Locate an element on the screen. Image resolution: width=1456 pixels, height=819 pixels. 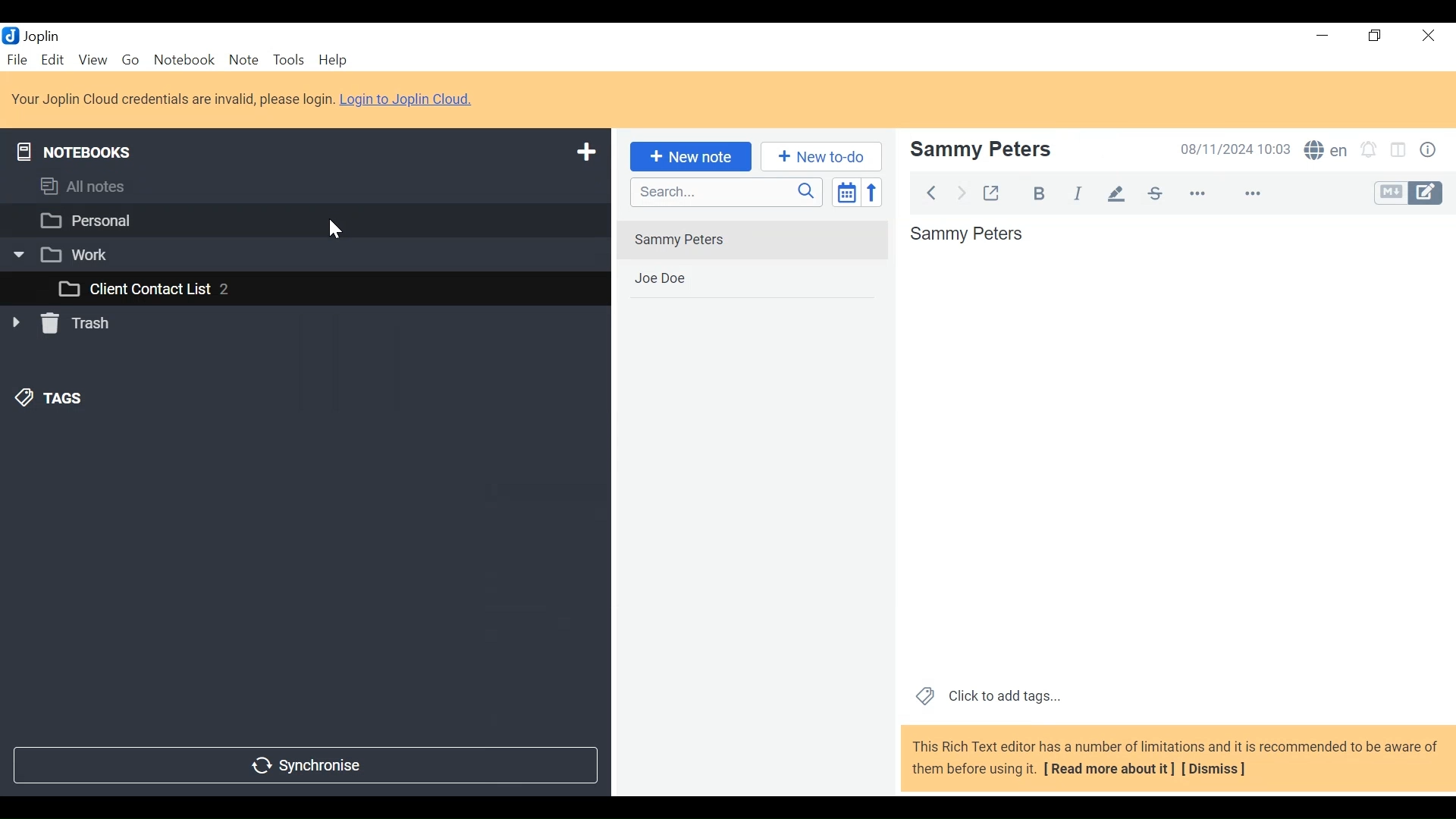
This Rich Text editor has a number of limitations and it is recommended to be aware of
them before using it. [ Read more about it] [Dismiss] is located at coordinates (1171, 759).